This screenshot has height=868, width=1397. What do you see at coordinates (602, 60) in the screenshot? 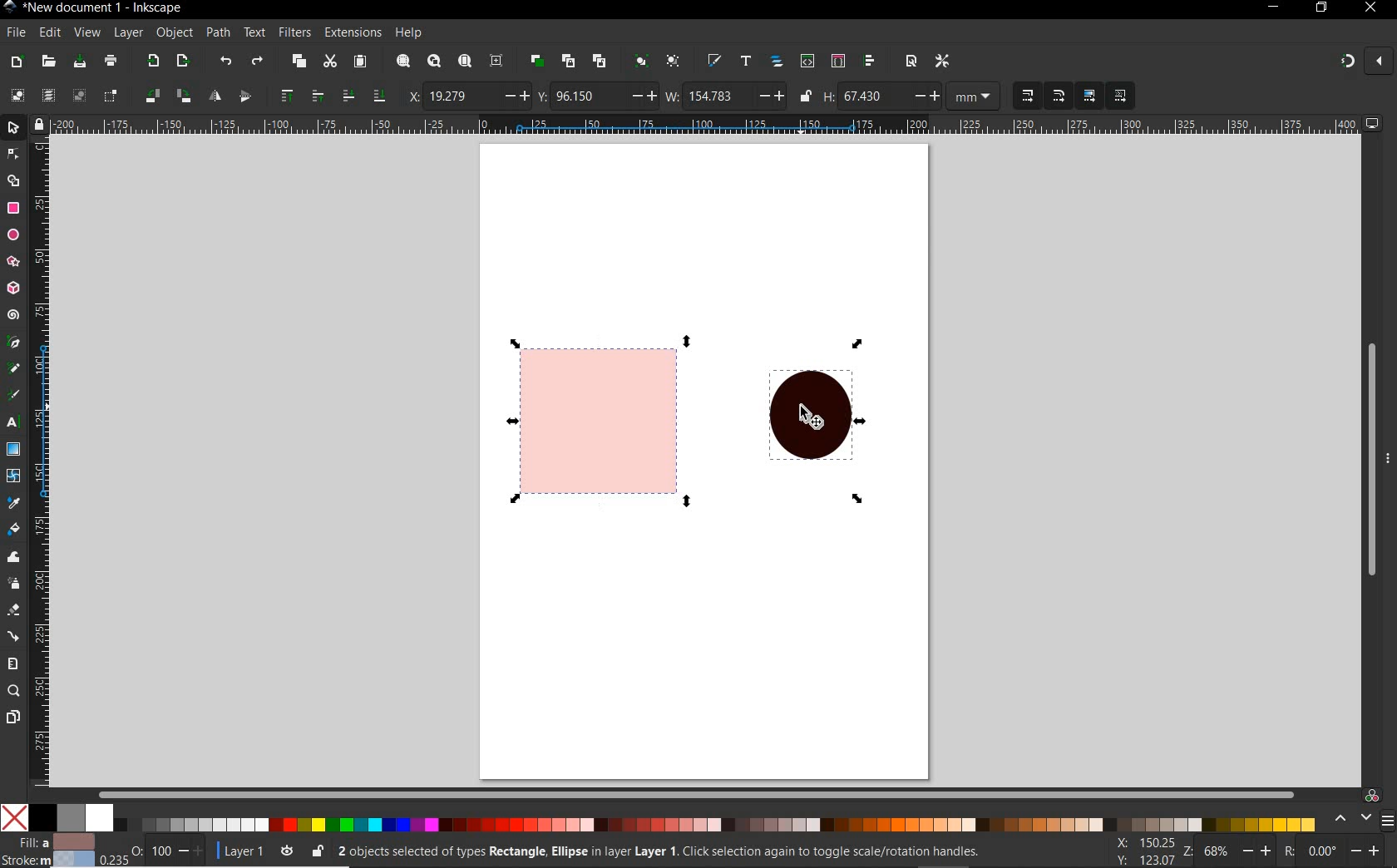
I see `unlink clone` at bounding box center [602, 60].